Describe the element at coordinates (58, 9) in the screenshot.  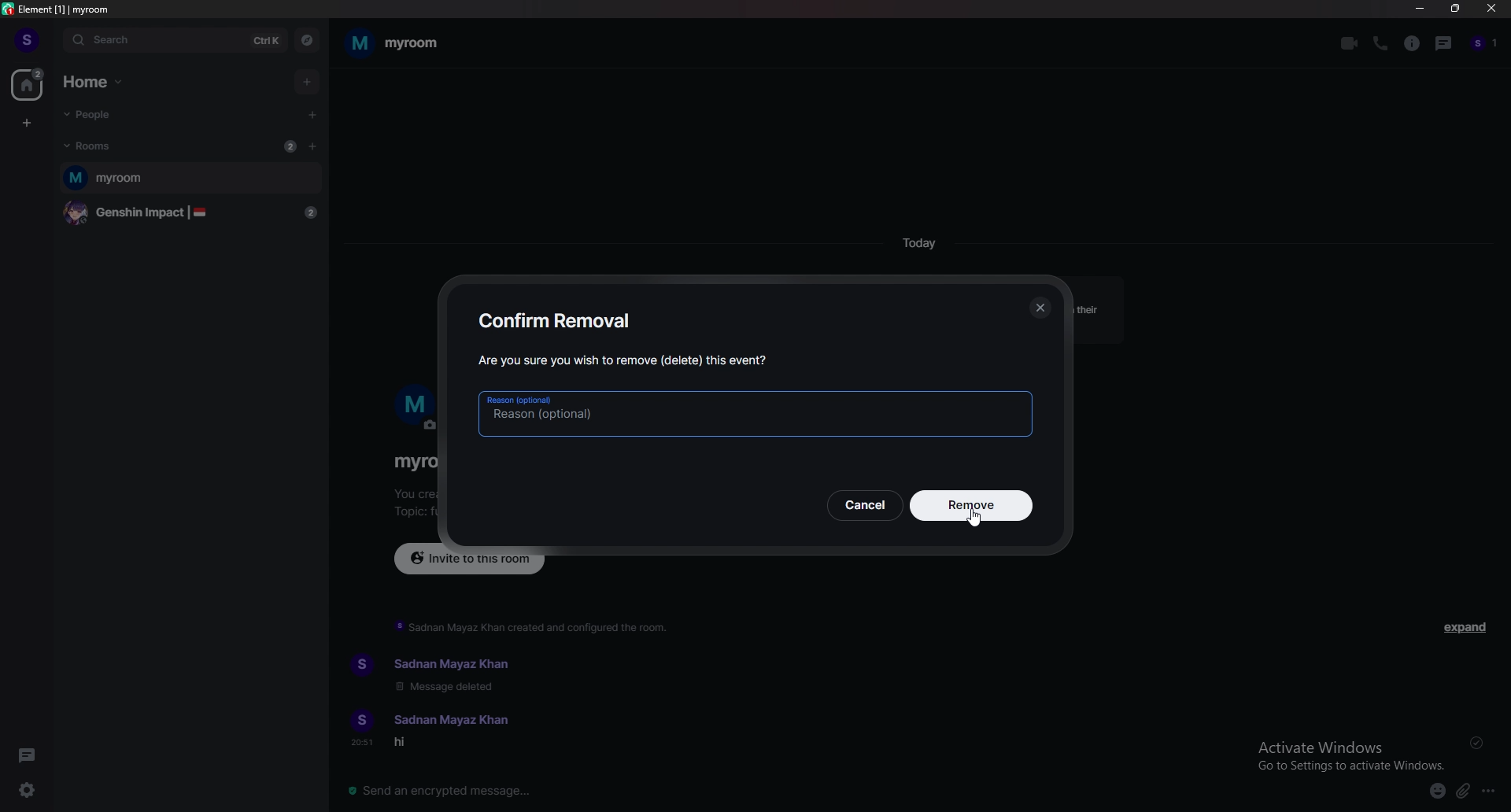
I see `element [1] | myroom` at that location.